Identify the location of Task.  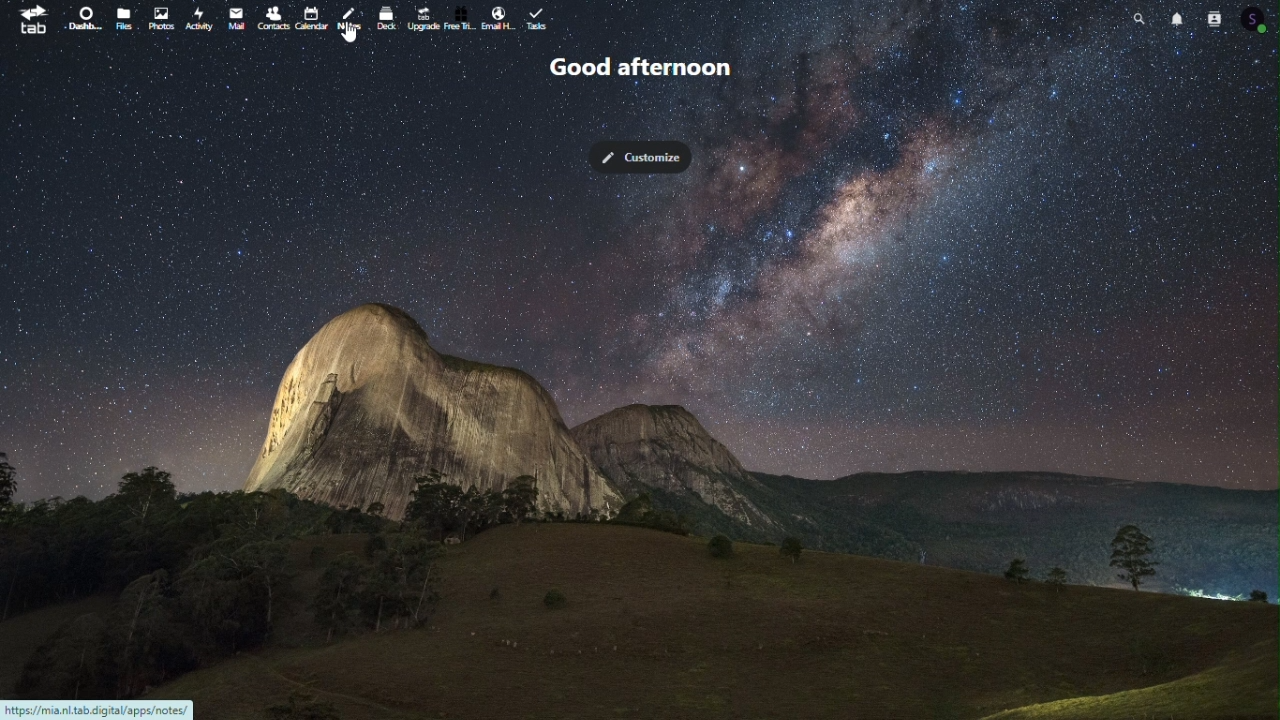
(541, 19).